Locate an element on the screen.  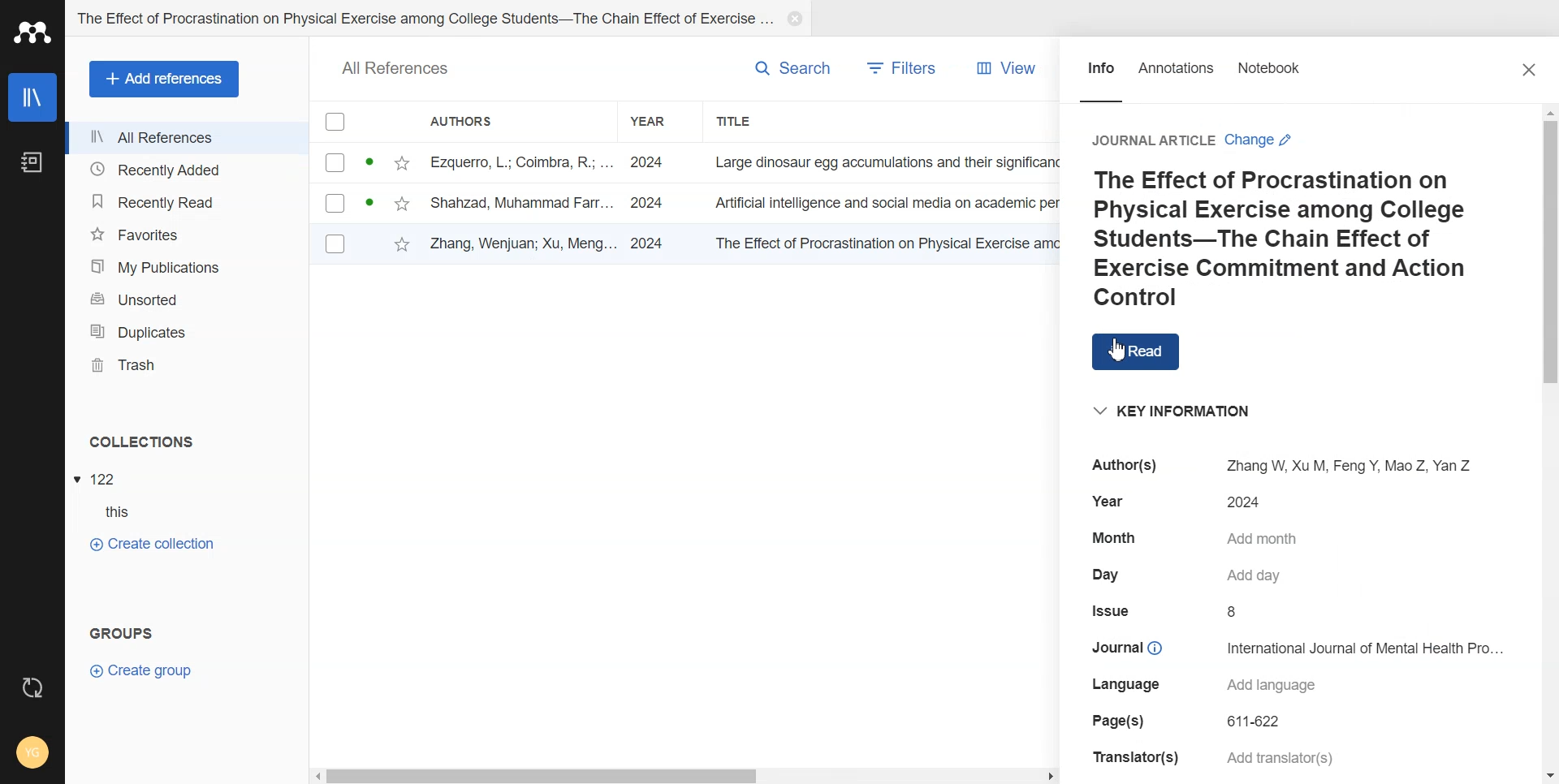
 The Effect of Procrastination on Physical Exercise among College Students-The Chain Effect of Exercise Commitment and Action Control is located at coordinates (1293, 239).